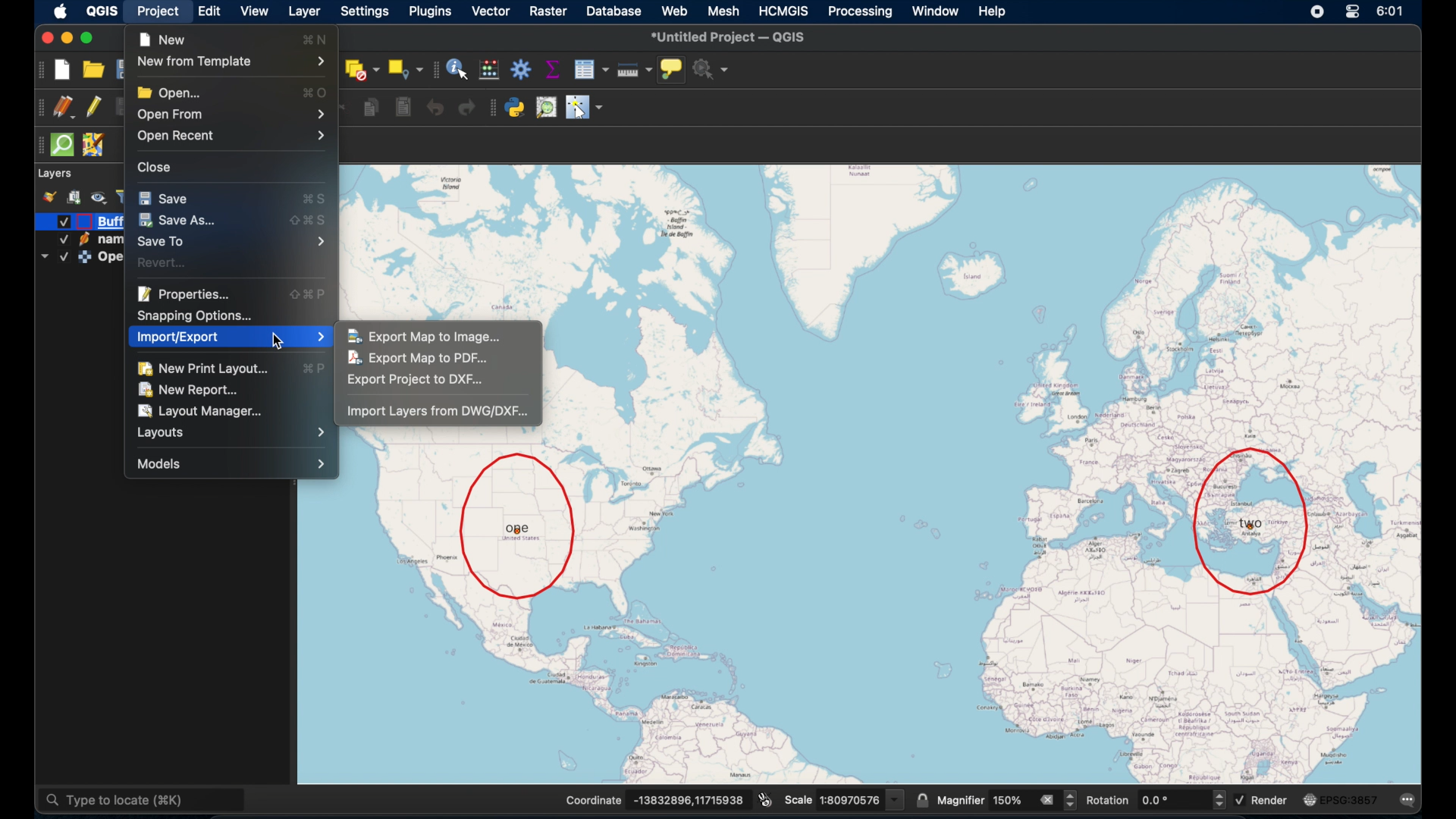  What do you see at coordinates (422, 381) in the screenshot?
I see `export project to dxf` at bounding box center [422, 381].